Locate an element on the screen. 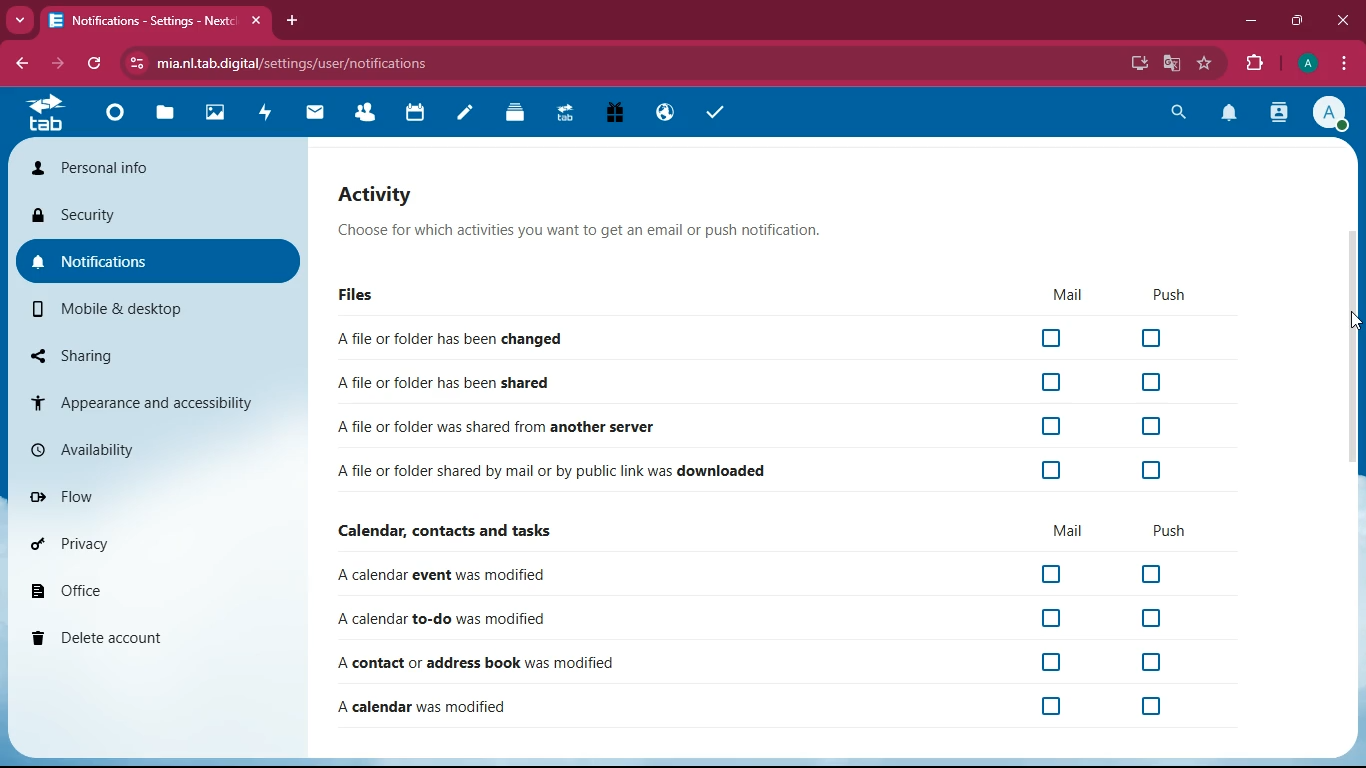 The height and width of the screenshot is (768, 1366). maximize is located at coordinates (1295, 22).